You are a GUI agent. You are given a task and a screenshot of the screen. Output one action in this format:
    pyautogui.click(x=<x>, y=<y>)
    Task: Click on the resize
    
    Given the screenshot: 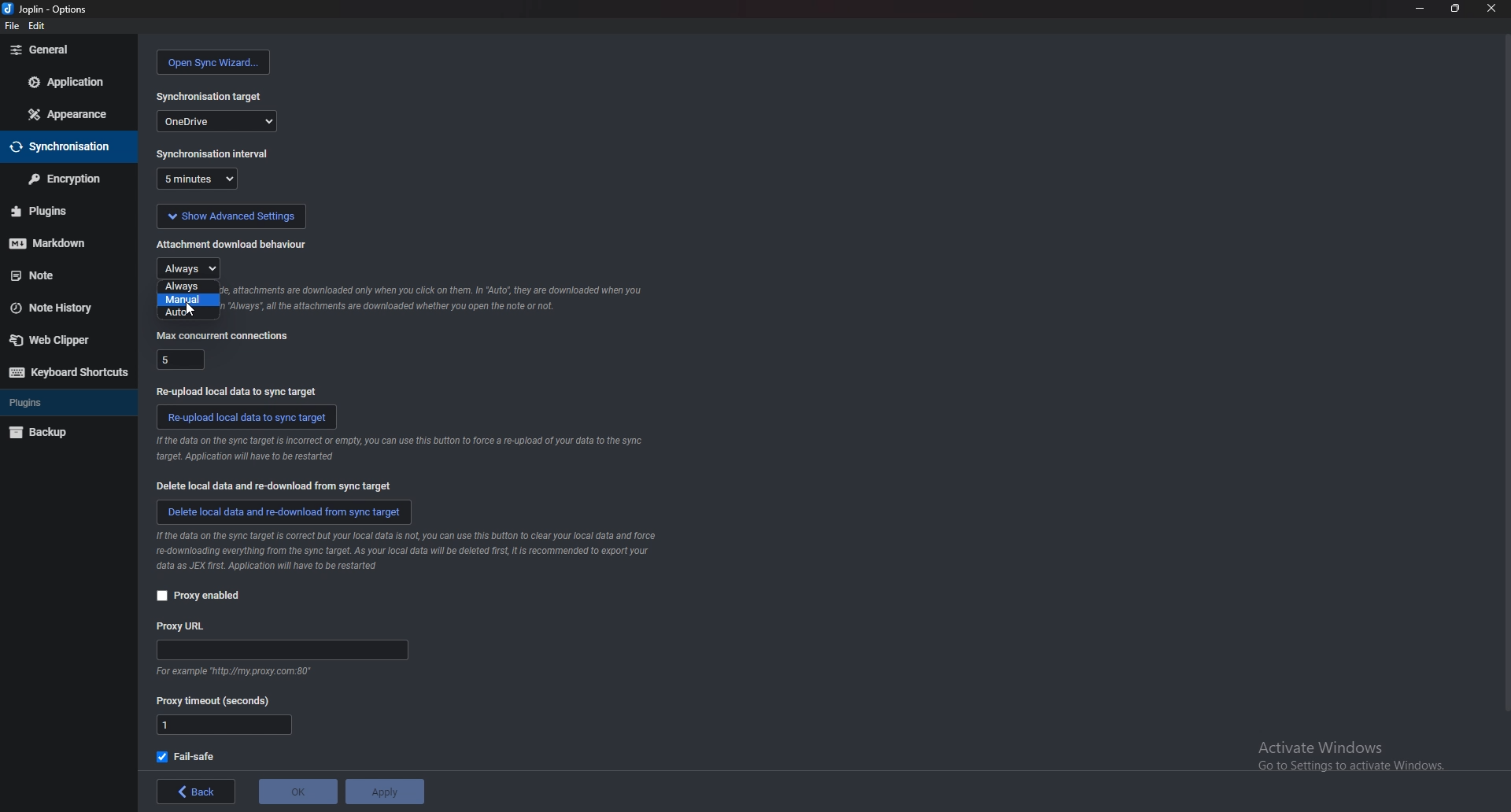 What is the action you would take?
    pyautogui.click(x=1452, y=8)
    